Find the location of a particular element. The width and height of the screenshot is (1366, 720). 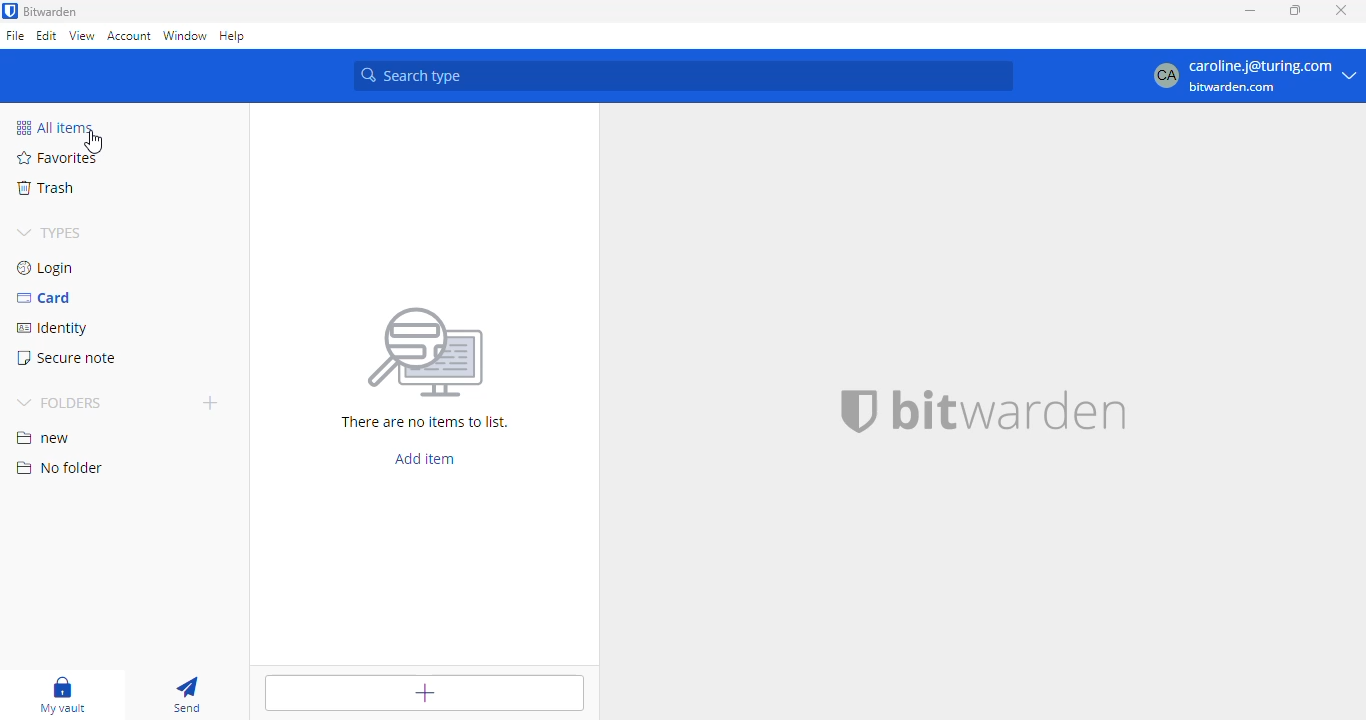

my vault is located at coordinates (64, 693).